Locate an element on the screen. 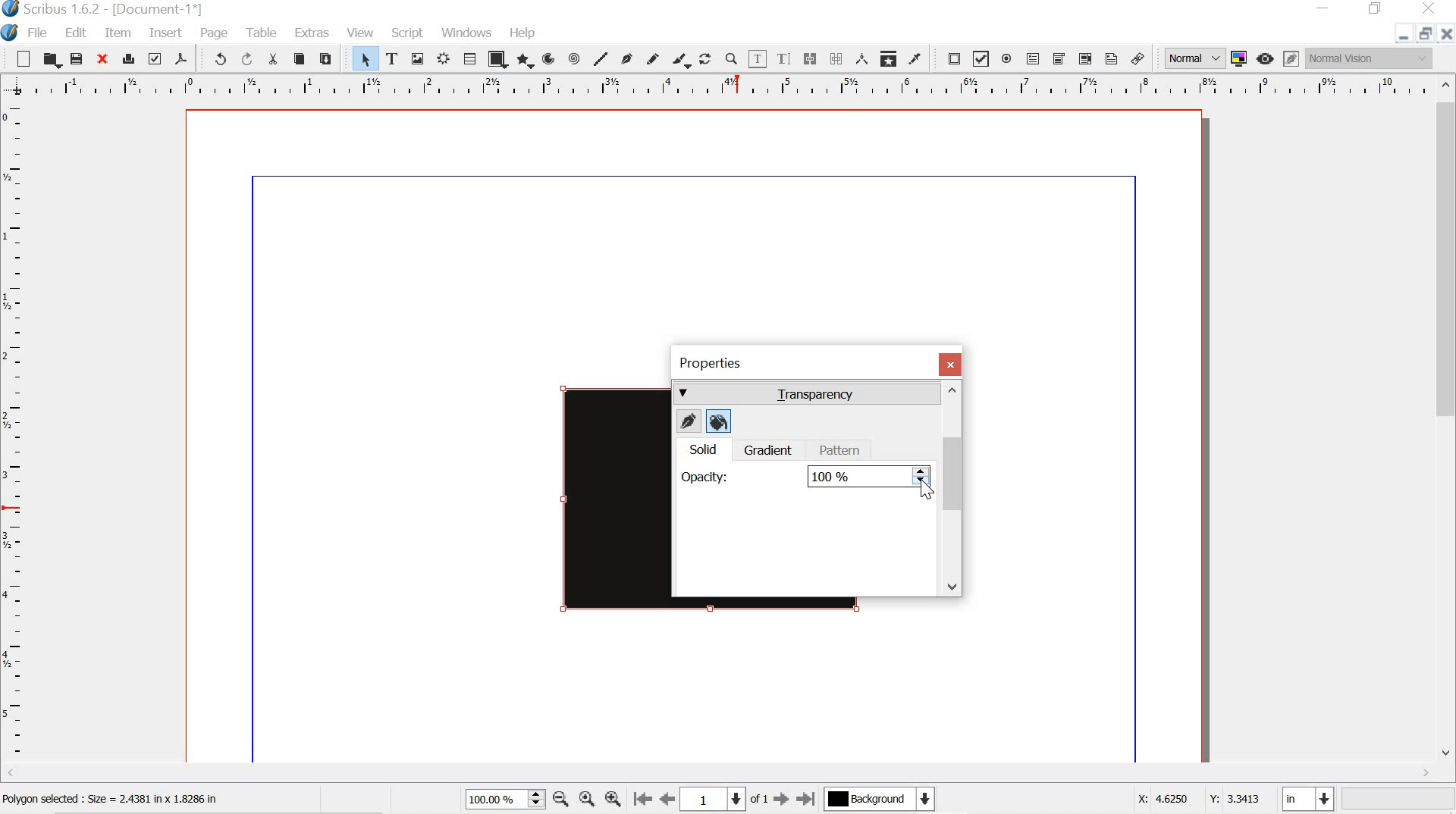 The image size is (1456, 814). pattern is located at coordinates (841, 449).